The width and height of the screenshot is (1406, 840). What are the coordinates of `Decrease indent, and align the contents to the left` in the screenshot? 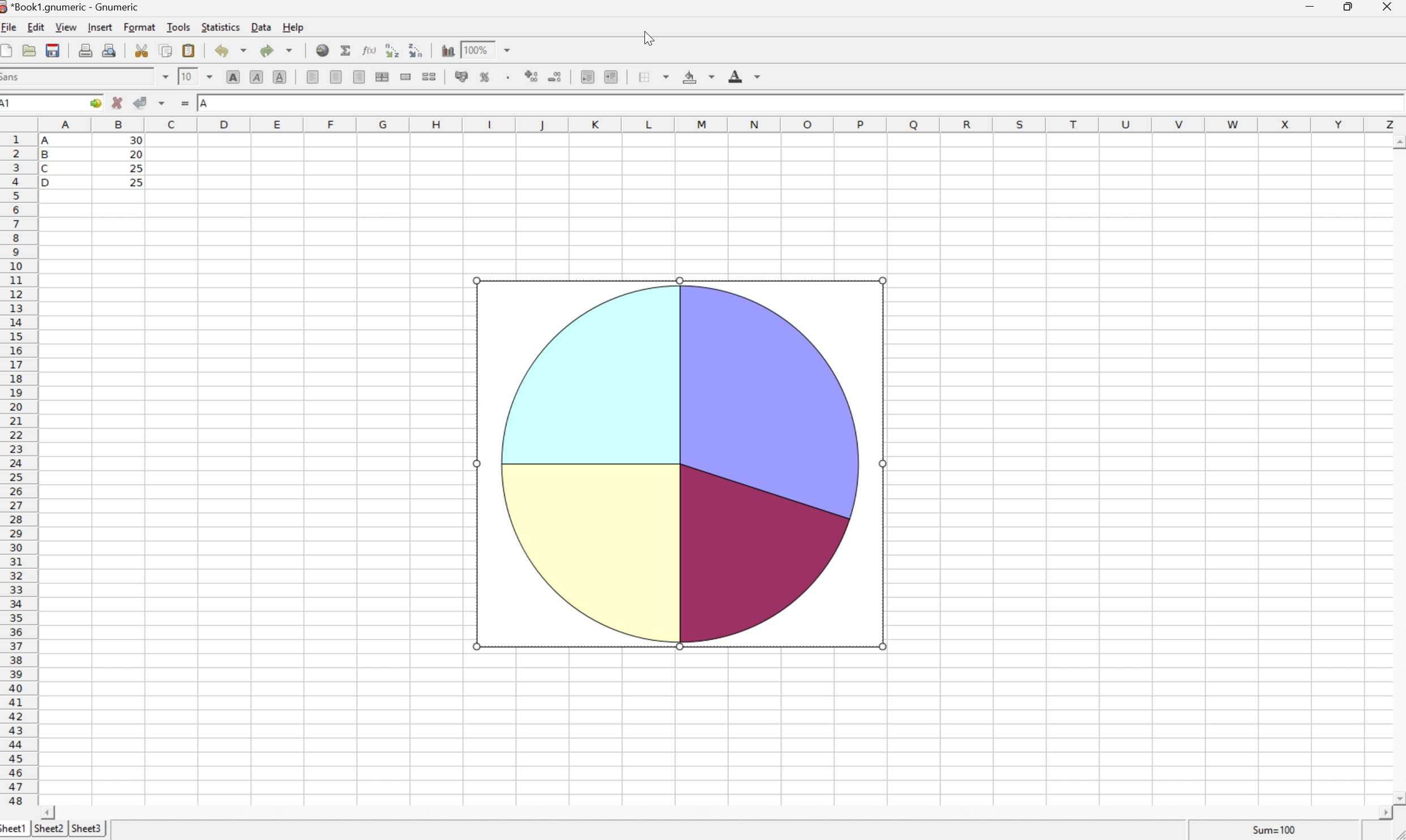 It's located at (587, 78).